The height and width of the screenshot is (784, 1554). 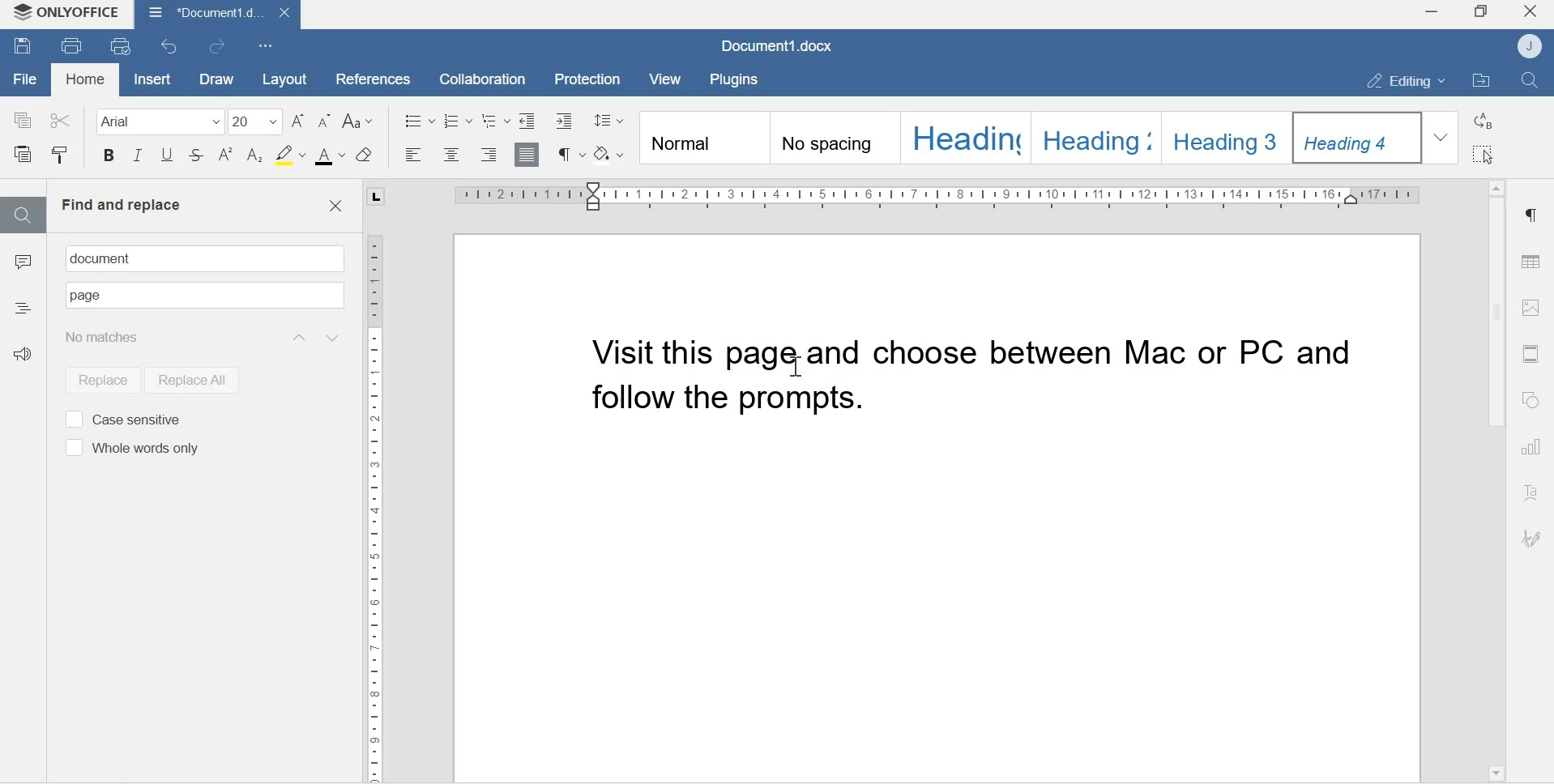 I want to click on Paragraph settings, so click(x=1531, y=215).